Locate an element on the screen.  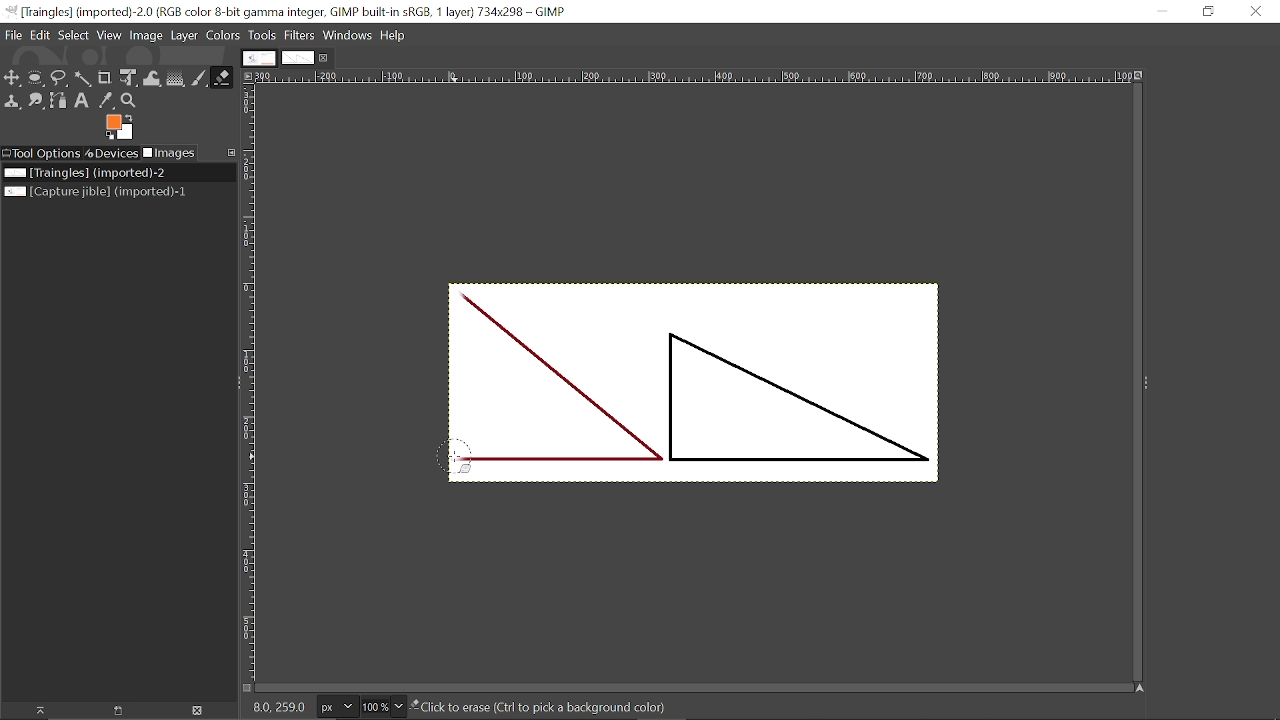
Crop tool is located at coordinates (103, 78).